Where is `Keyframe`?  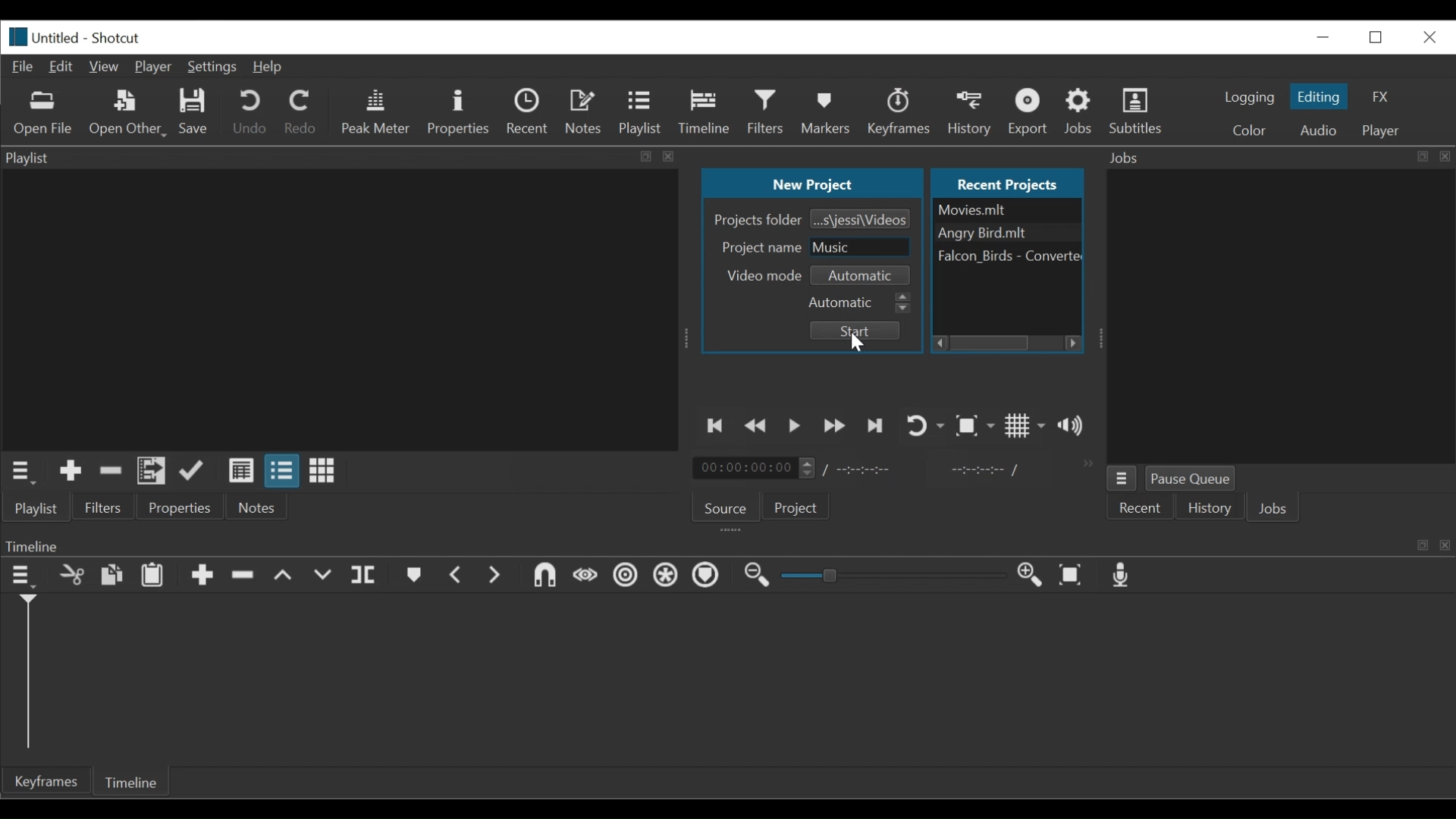
Keyframe is located at coordinates (902, 111).